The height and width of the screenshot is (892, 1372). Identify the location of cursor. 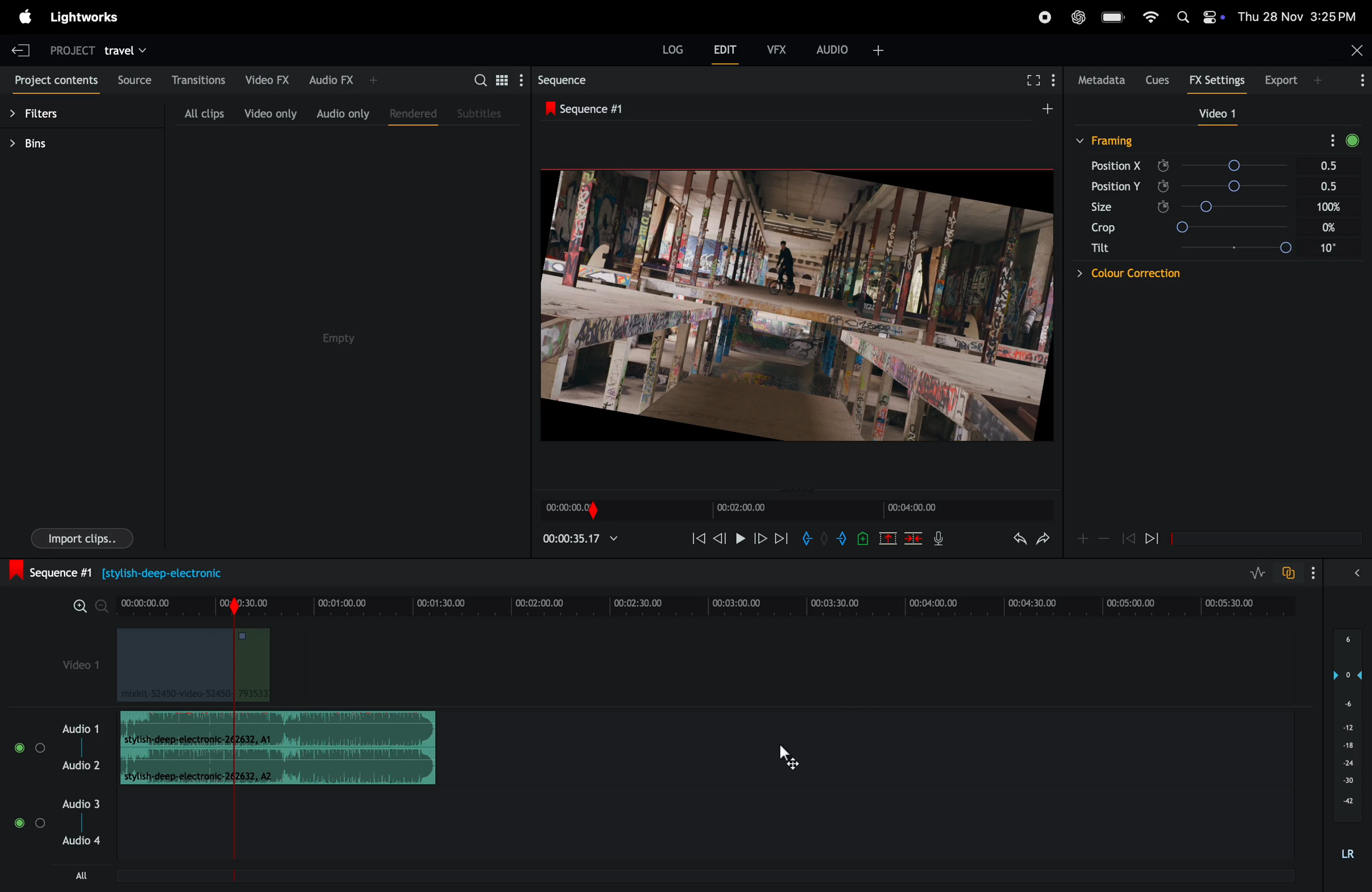
(802, 761).